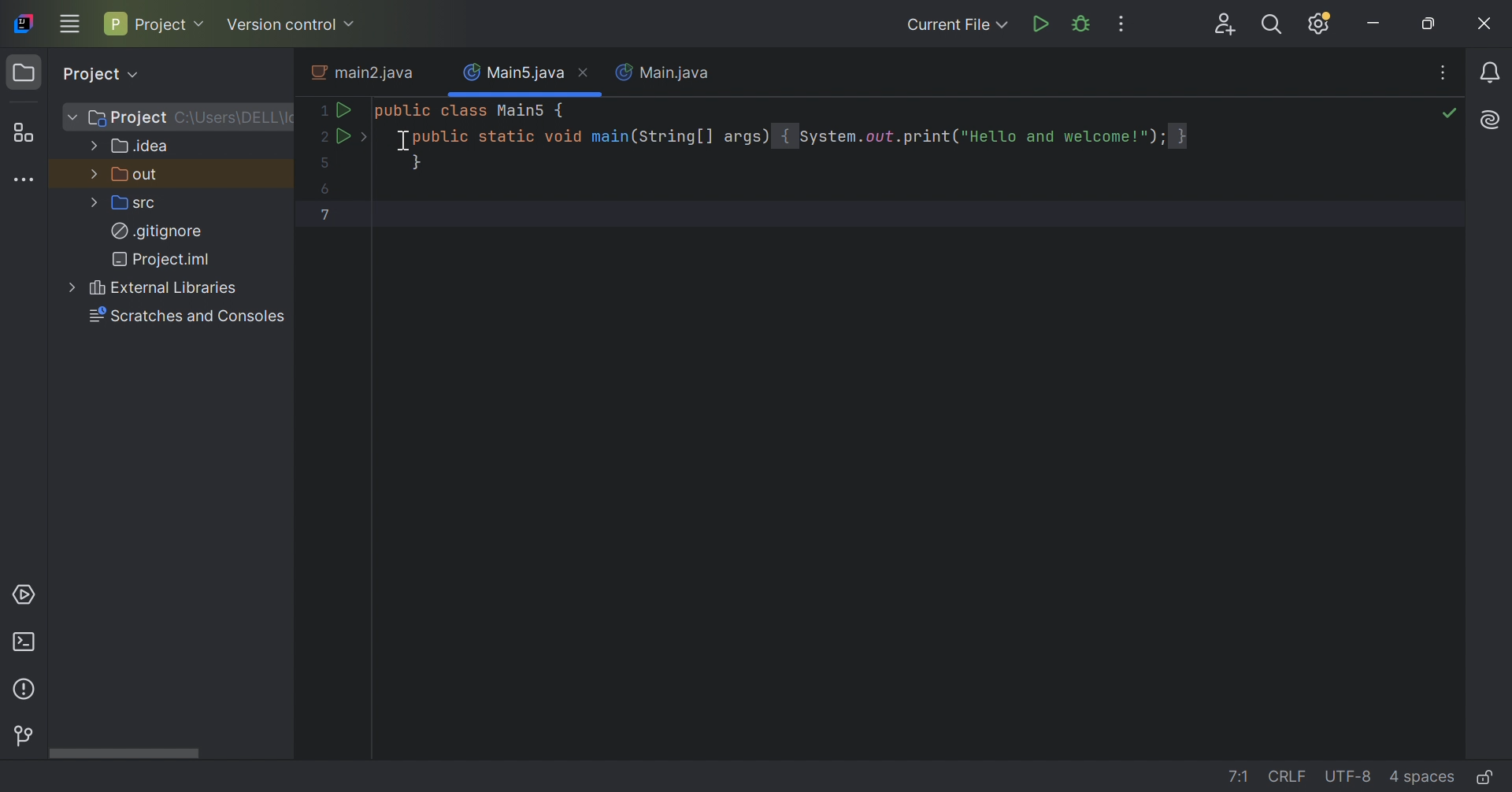 The image size is (1512, 792). What do you see at coordinates (1447, 69) in the screenshot?
I see `Code everywhere` at bounding box center [1447, 69].